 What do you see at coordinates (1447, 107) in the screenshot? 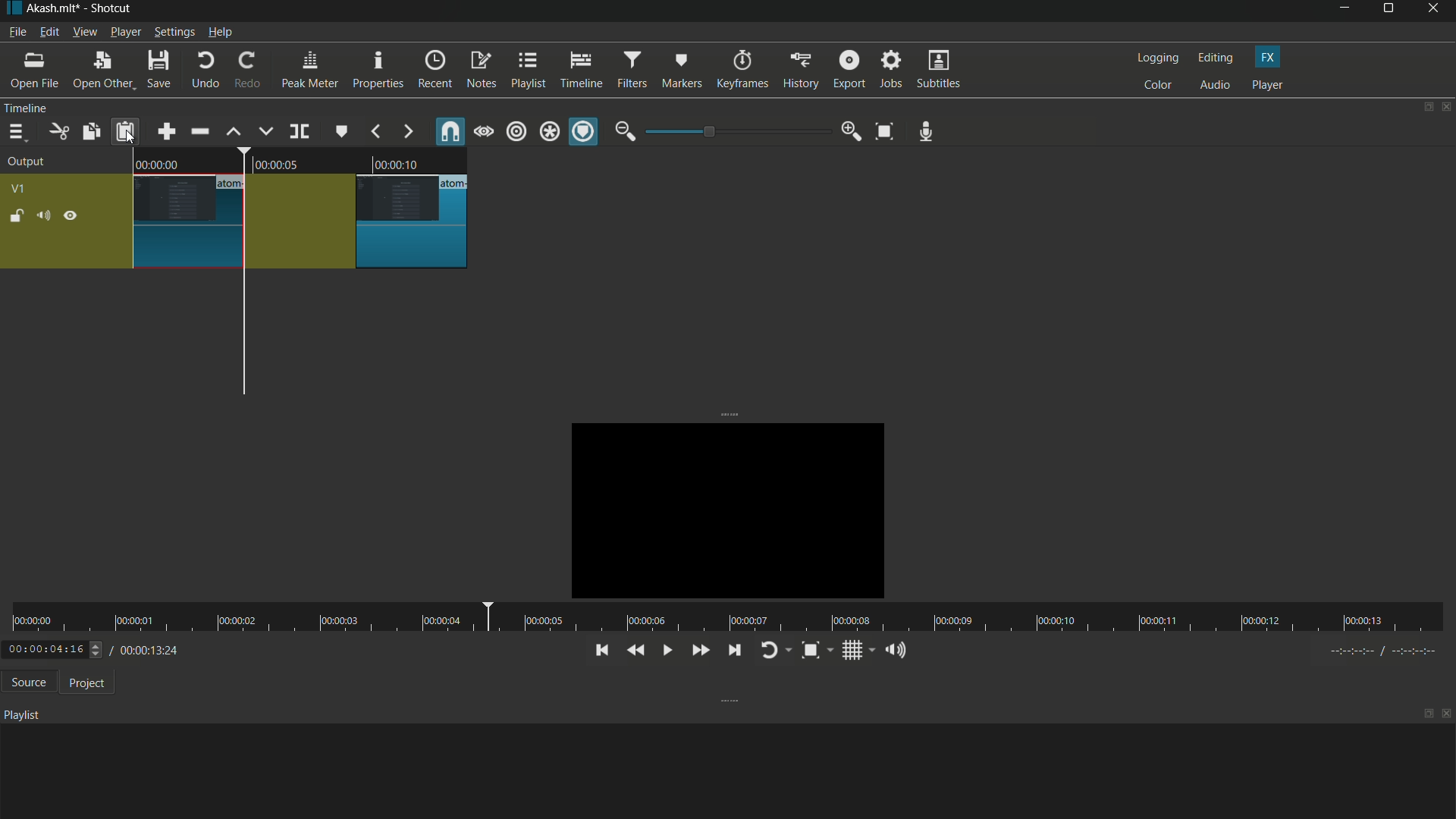
I see `close timeline` at bounding box center [1447, 107].